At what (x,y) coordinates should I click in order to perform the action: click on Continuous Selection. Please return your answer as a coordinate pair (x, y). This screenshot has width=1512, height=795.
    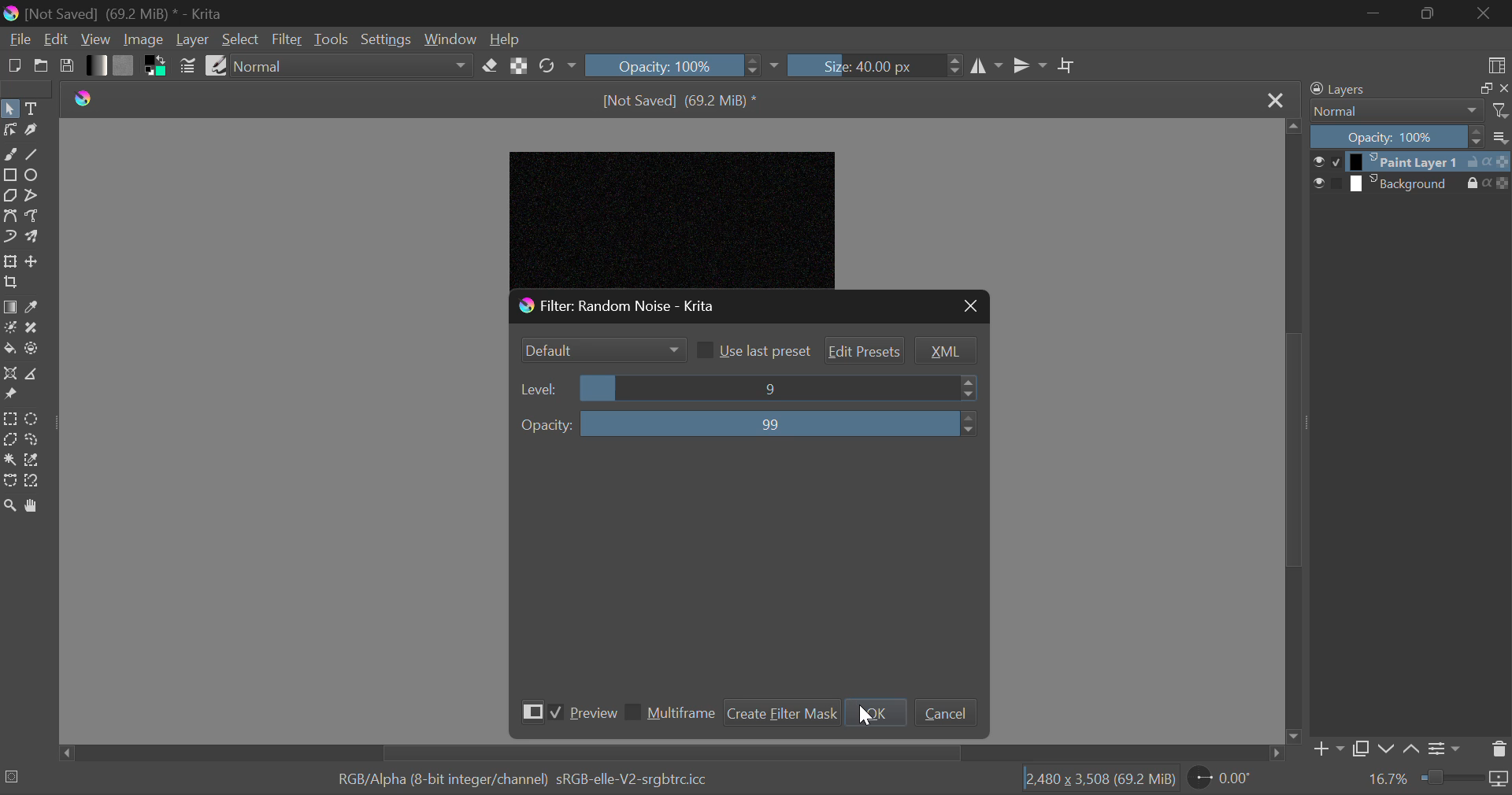
    Looking at the image, I should click on (11, 461).